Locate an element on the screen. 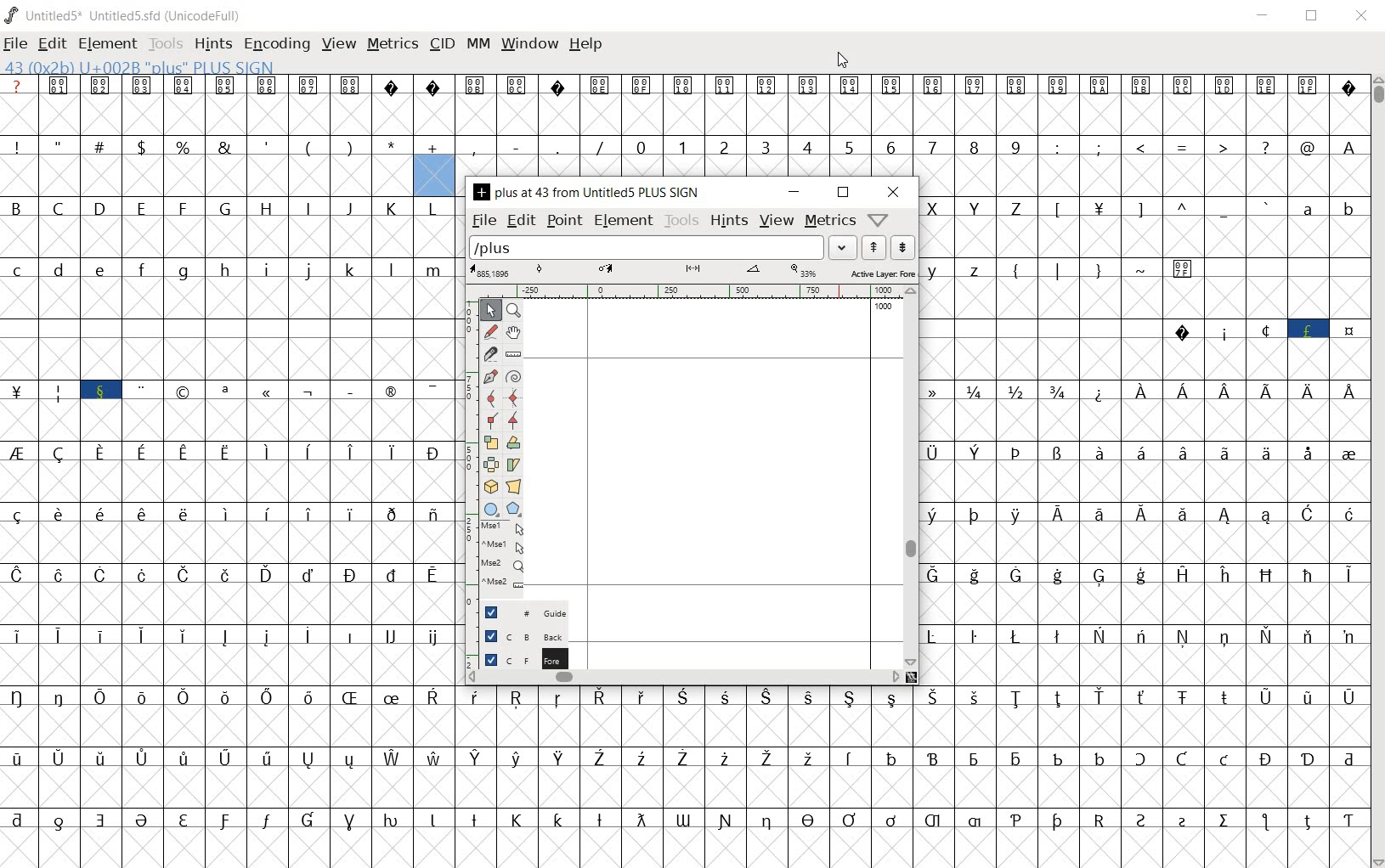  1000 is located at coordinates (881, 308).